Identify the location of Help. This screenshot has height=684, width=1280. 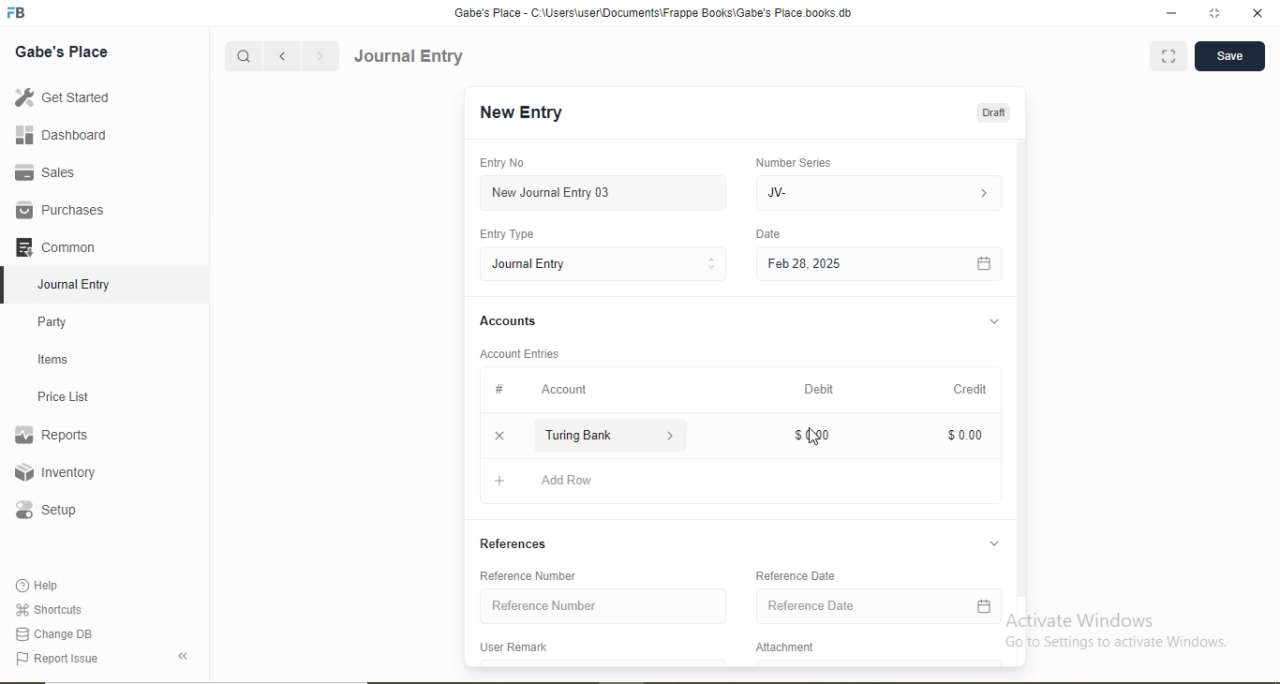
(39, 585).